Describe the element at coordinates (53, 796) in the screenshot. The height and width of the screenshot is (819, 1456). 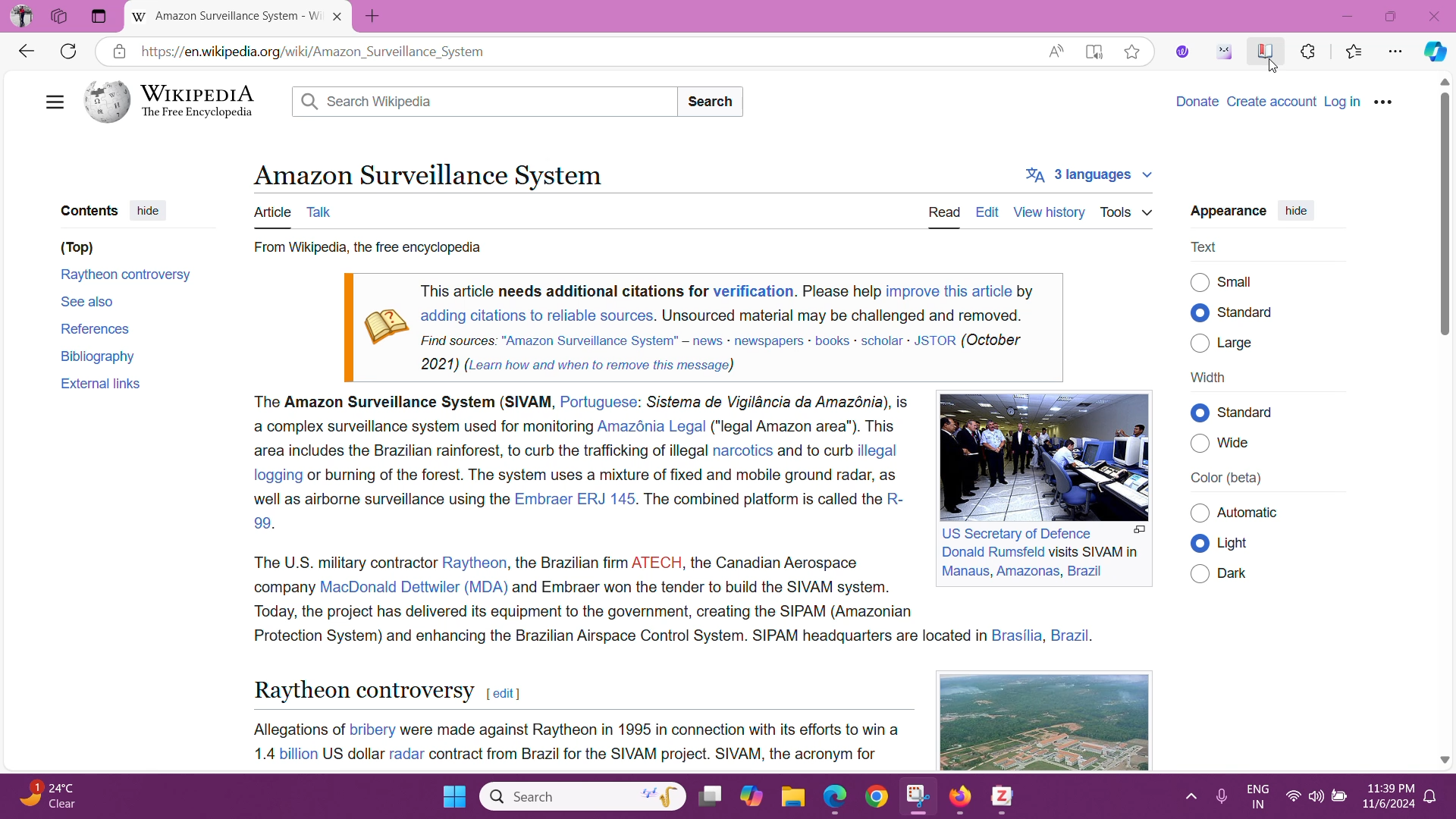
I see `Weather` at that location.